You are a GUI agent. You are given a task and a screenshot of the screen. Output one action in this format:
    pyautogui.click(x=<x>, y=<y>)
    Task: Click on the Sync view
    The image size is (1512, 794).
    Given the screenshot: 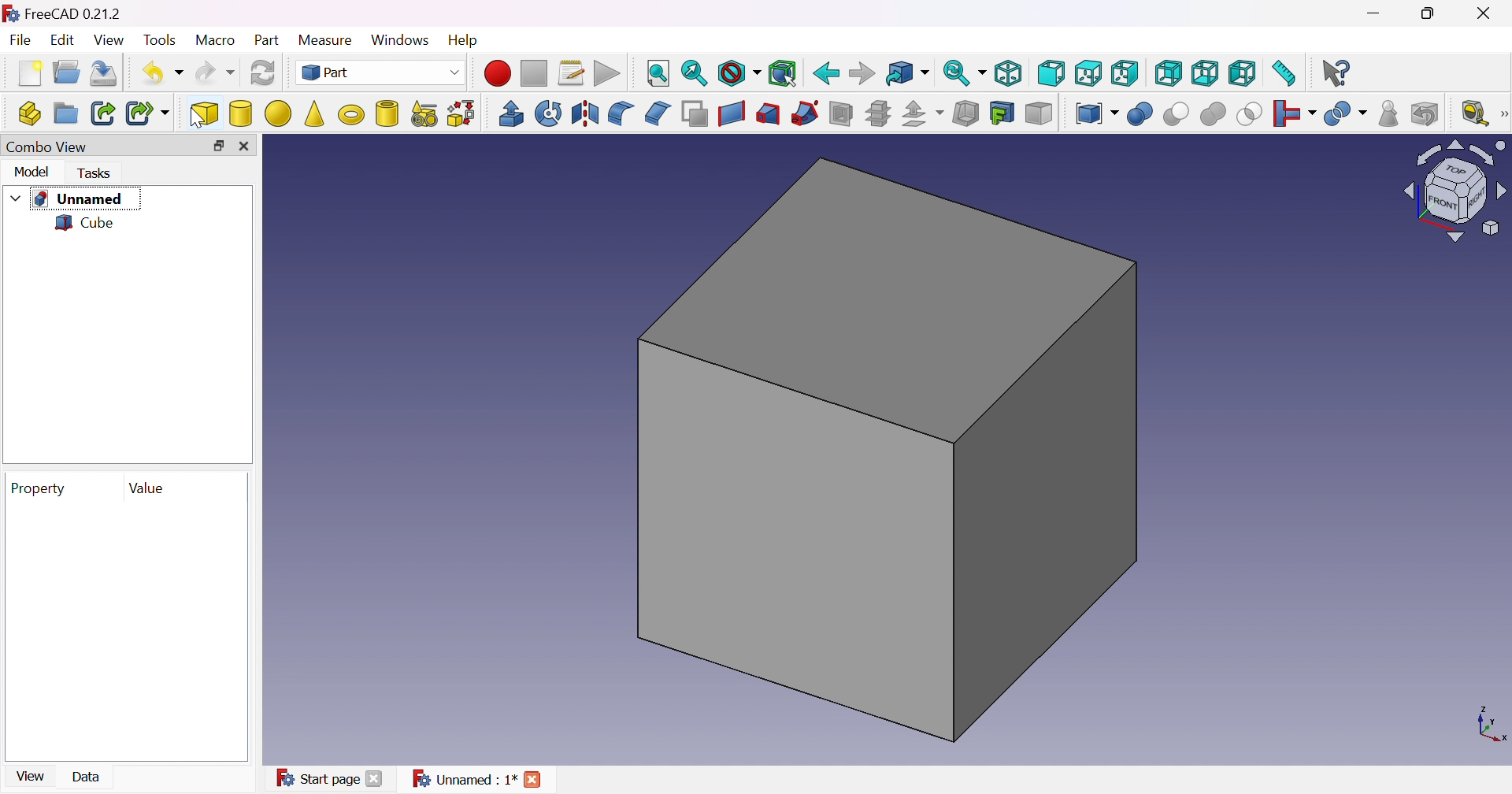 What is the action you would take?
    pyautogui.click(x=963, y=74)
    